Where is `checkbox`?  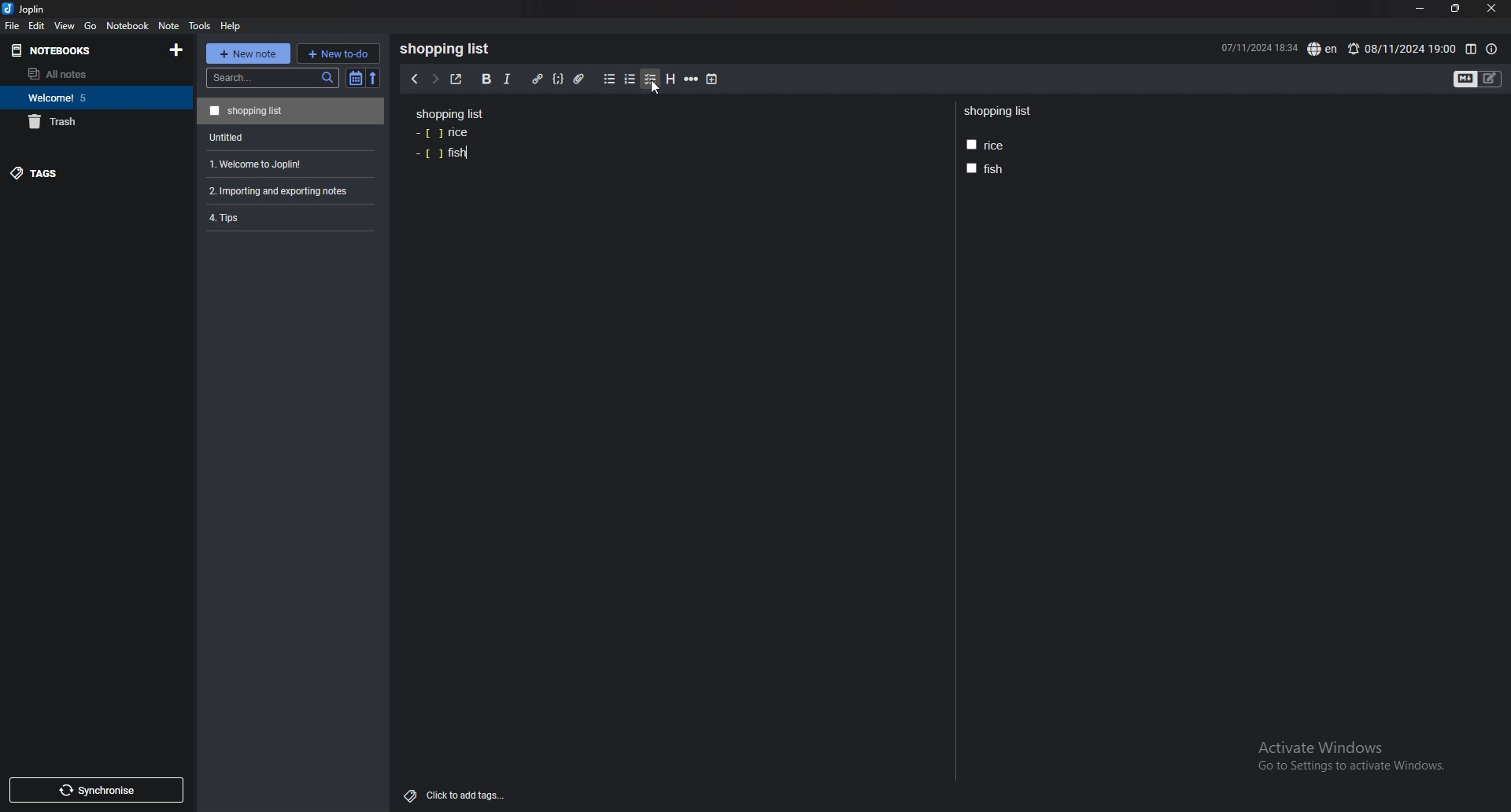 checkbox is located at coordinates (651, 79).